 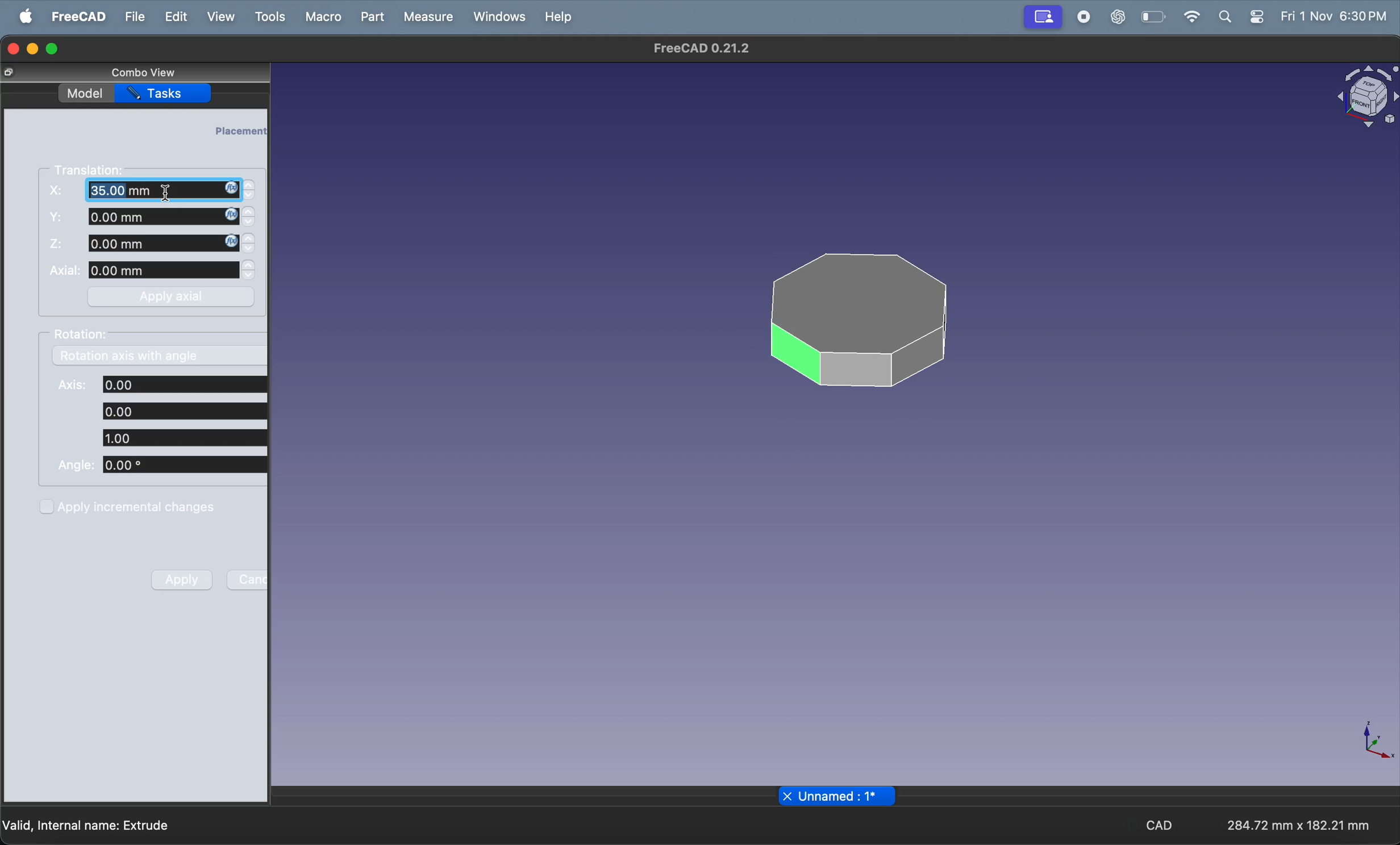 What do you see at coordinates (1118, 17) in the screenshot?
I see `chatgpt` at bounding box center [1118, 17].